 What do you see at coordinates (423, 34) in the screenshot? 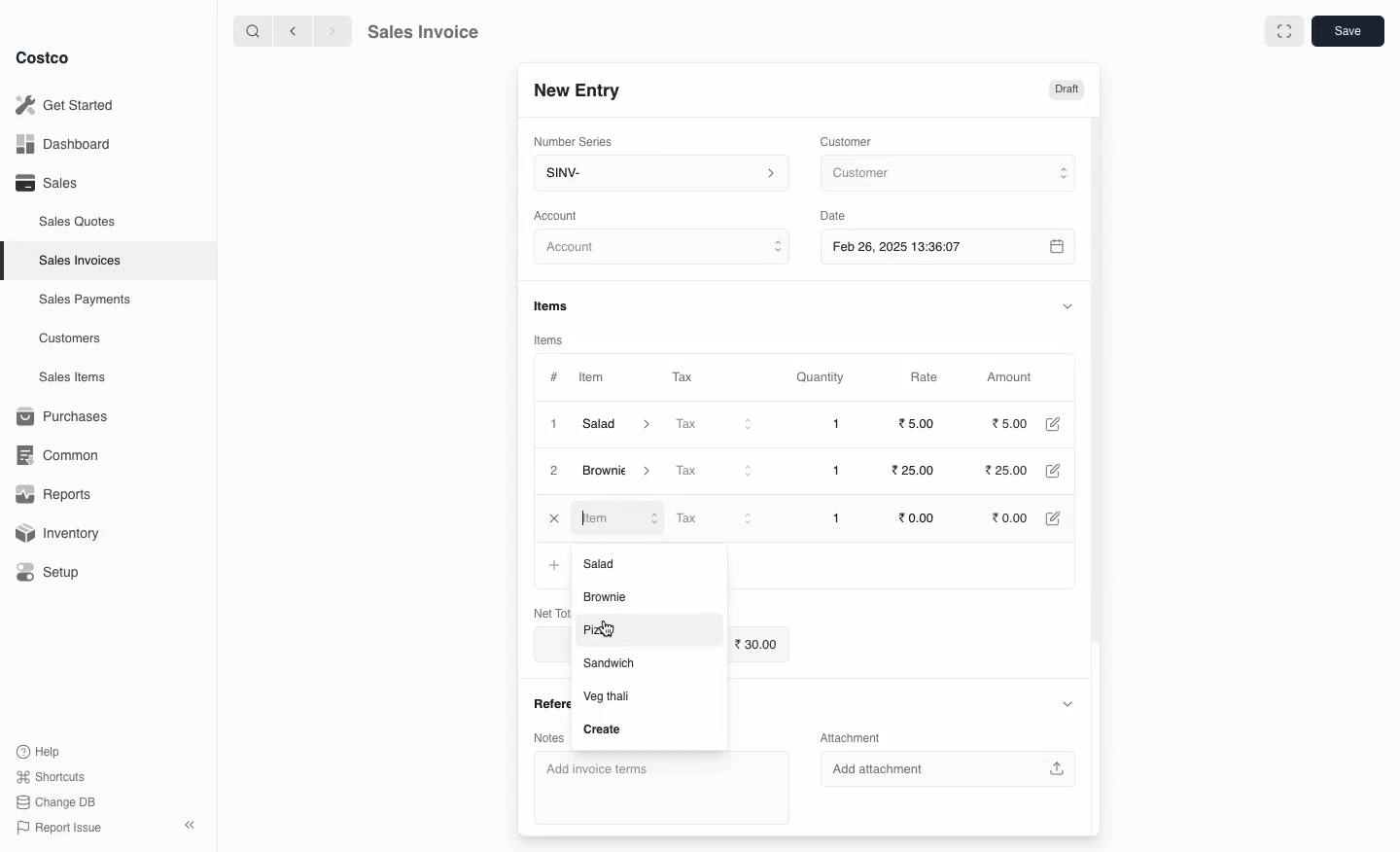
I see `Sales Invoice` at bounding box center [423, 34].